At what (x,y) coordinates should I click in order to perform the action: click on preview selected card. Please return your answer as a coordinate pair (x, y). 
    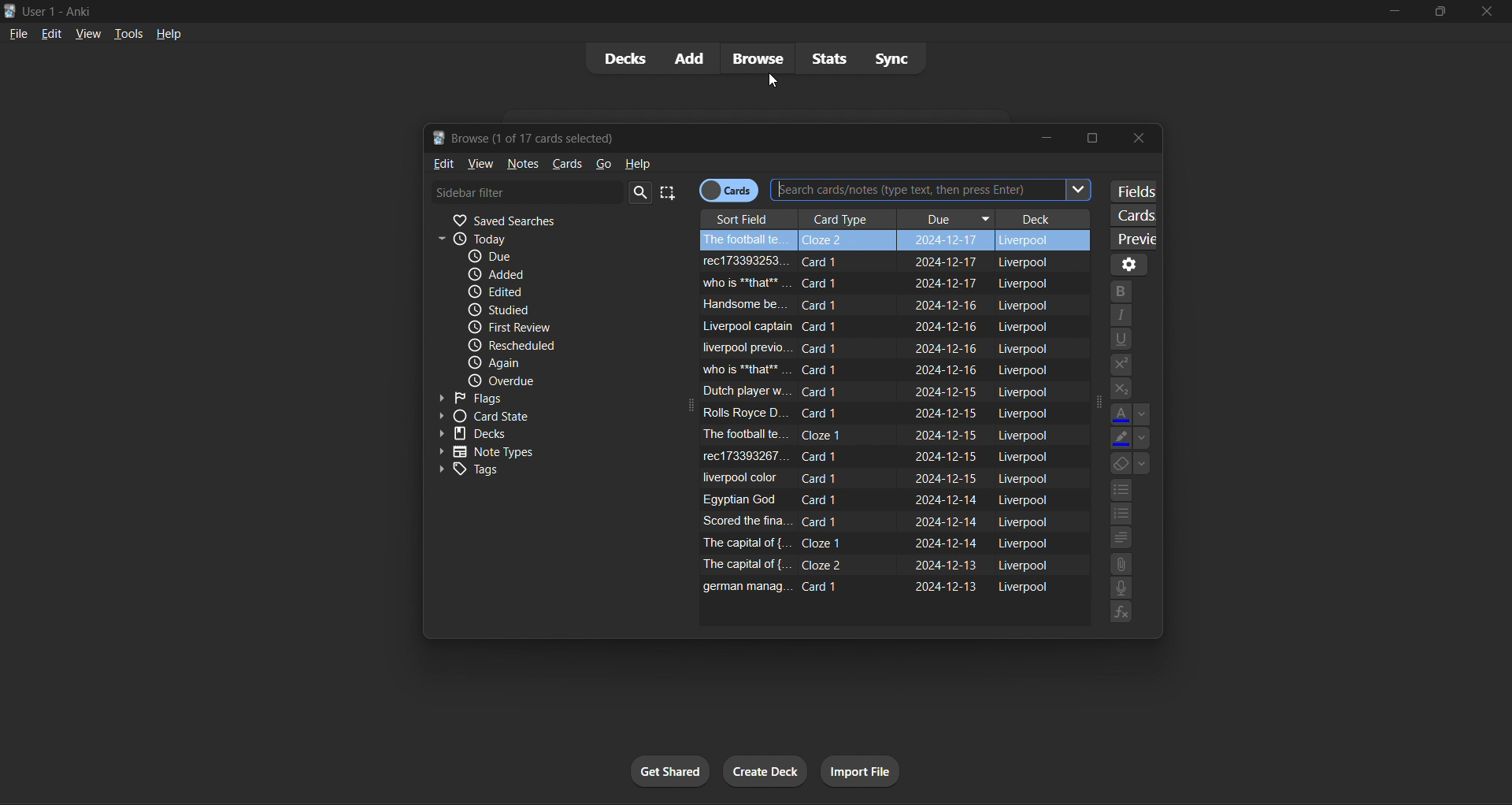
    Looking at the image, I should click on (1137, 239).